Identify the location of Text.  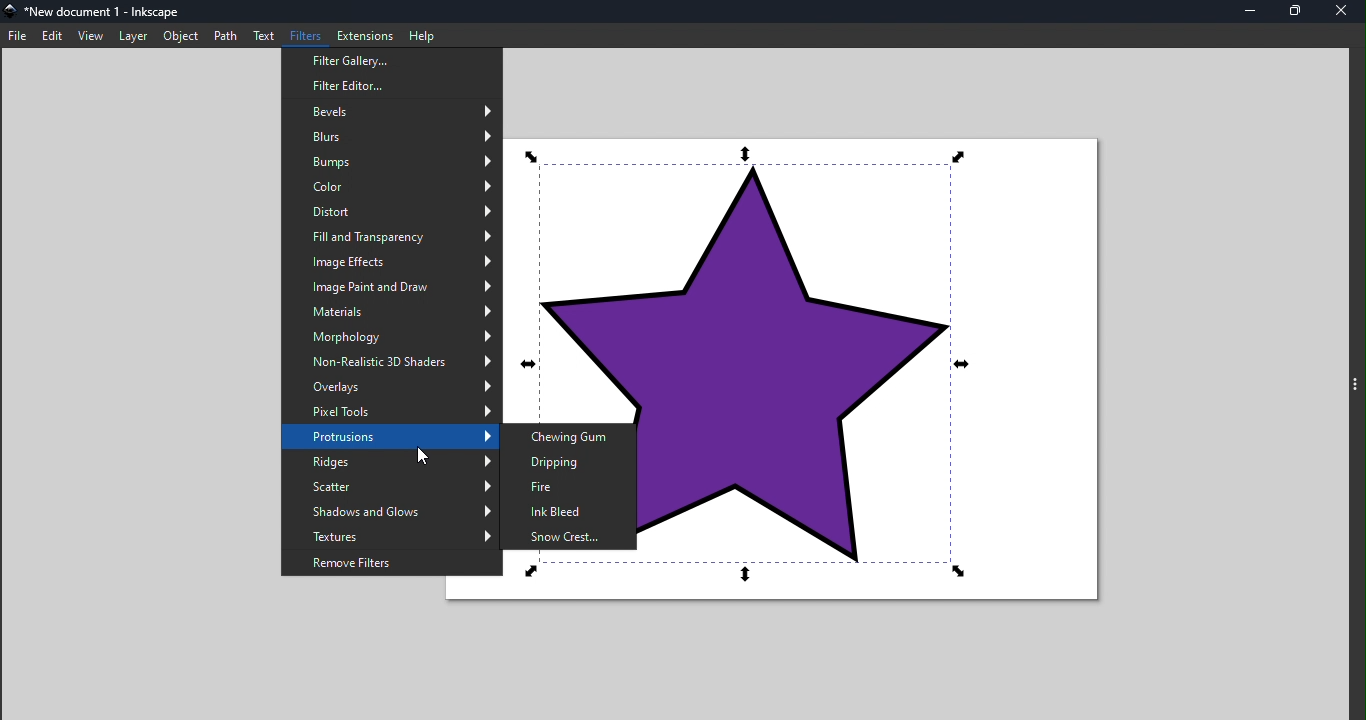
(266, 35).